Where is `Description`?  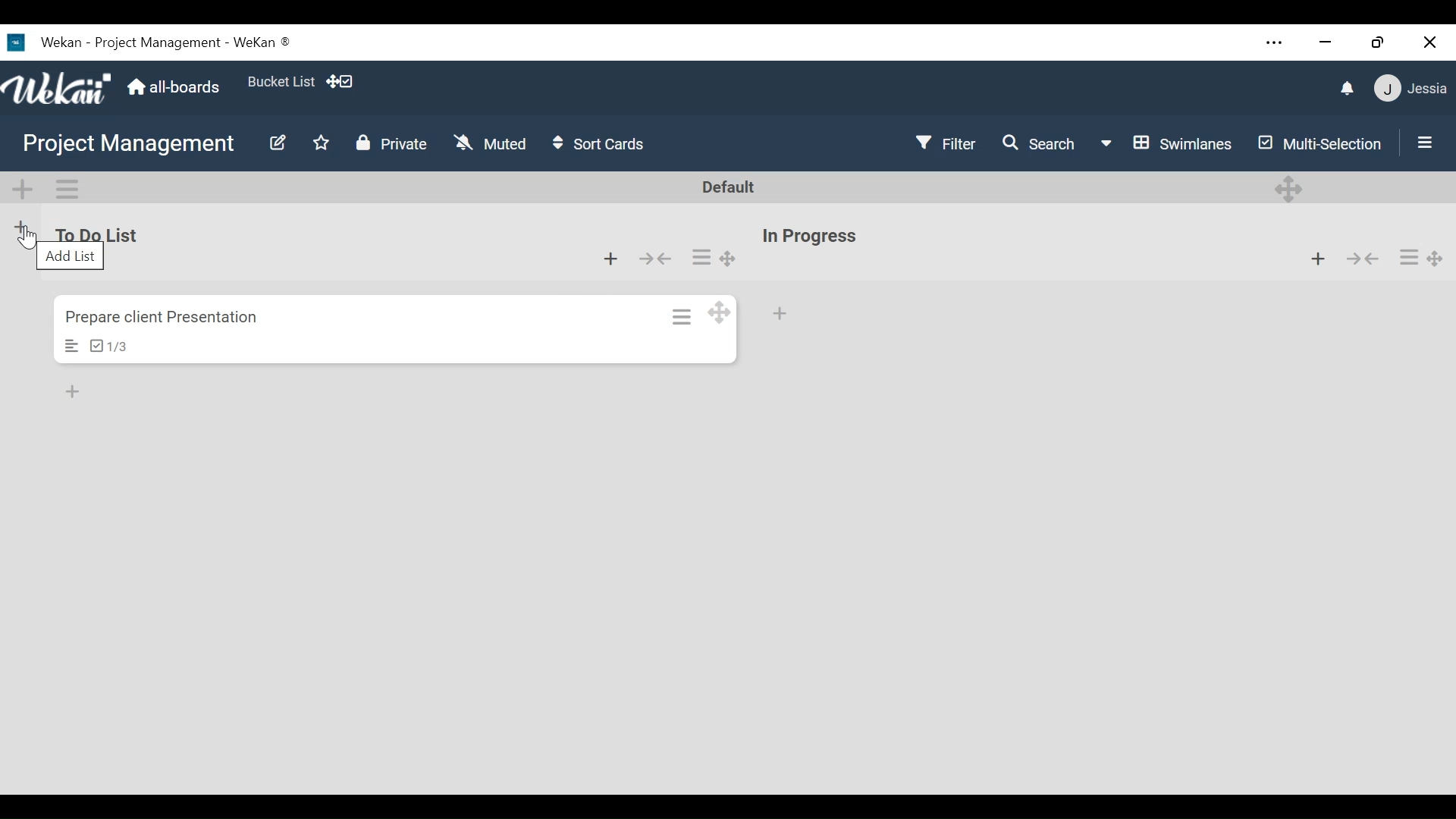
Description is located at coordinates (72, 344).